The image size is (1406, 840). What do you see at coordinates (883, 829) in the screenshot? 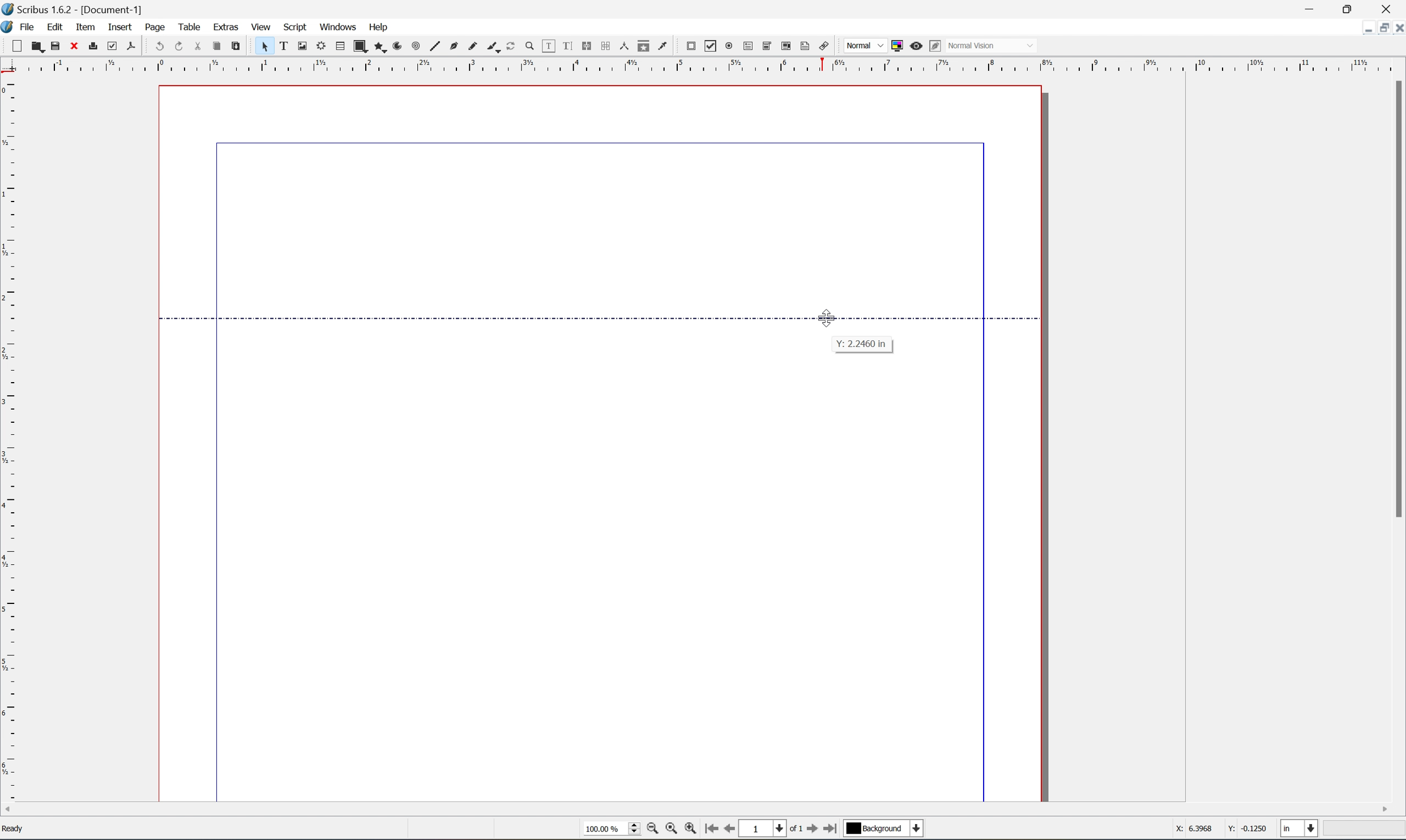
I see `Background` at bounding box center [883, 829].